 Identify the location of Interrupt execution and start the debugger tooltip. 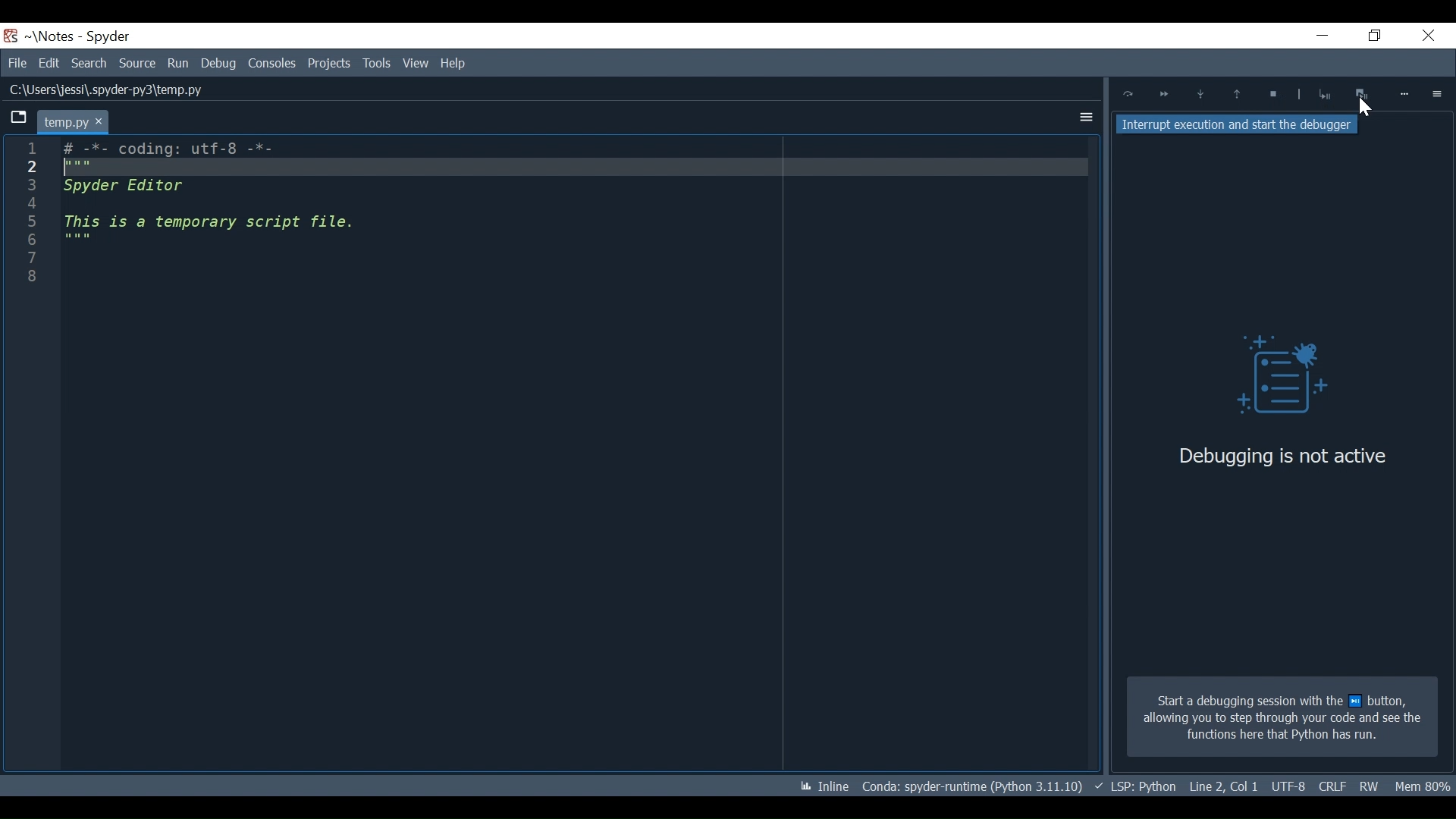
(1242, 126).